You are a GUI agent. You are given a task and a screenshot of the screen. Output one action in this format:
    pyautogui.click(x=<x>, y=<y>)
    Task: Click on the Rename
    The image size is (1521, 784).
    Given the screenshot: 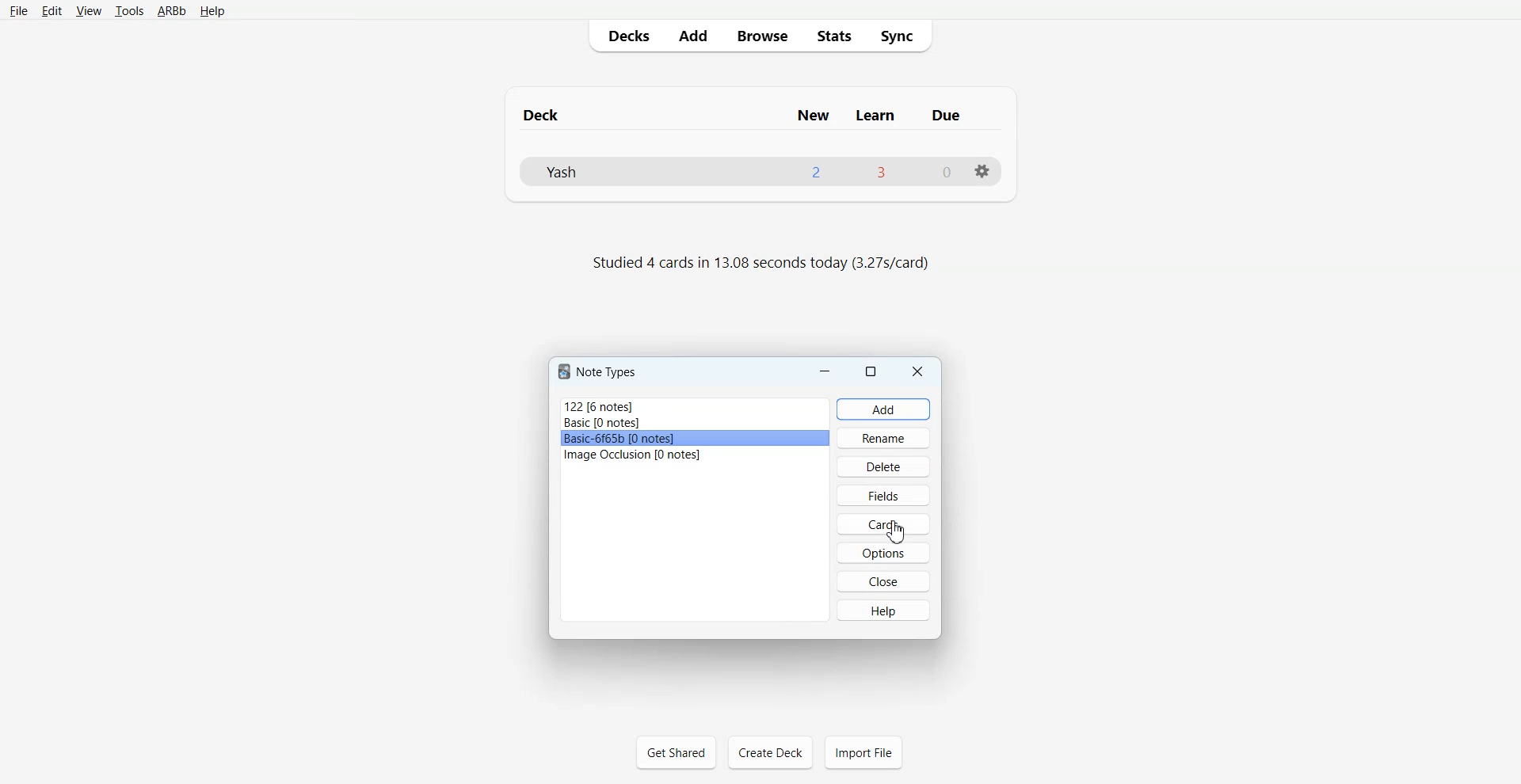 What is the action you would take?
    pyautogui.click(x=885, y=437)
    